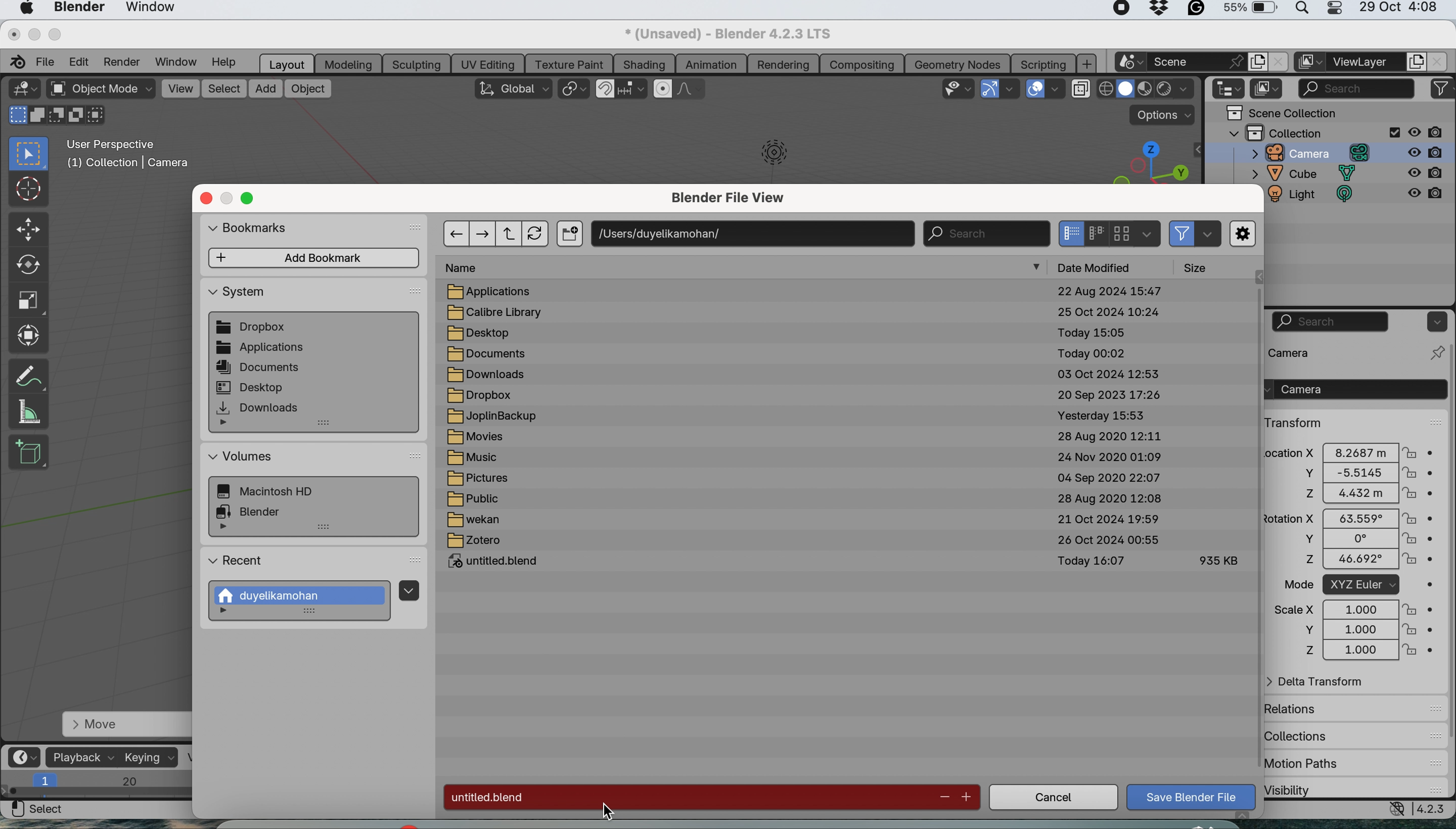 This screenshot has height=829, width=1456. I want to click on movies, so click(481, 438).